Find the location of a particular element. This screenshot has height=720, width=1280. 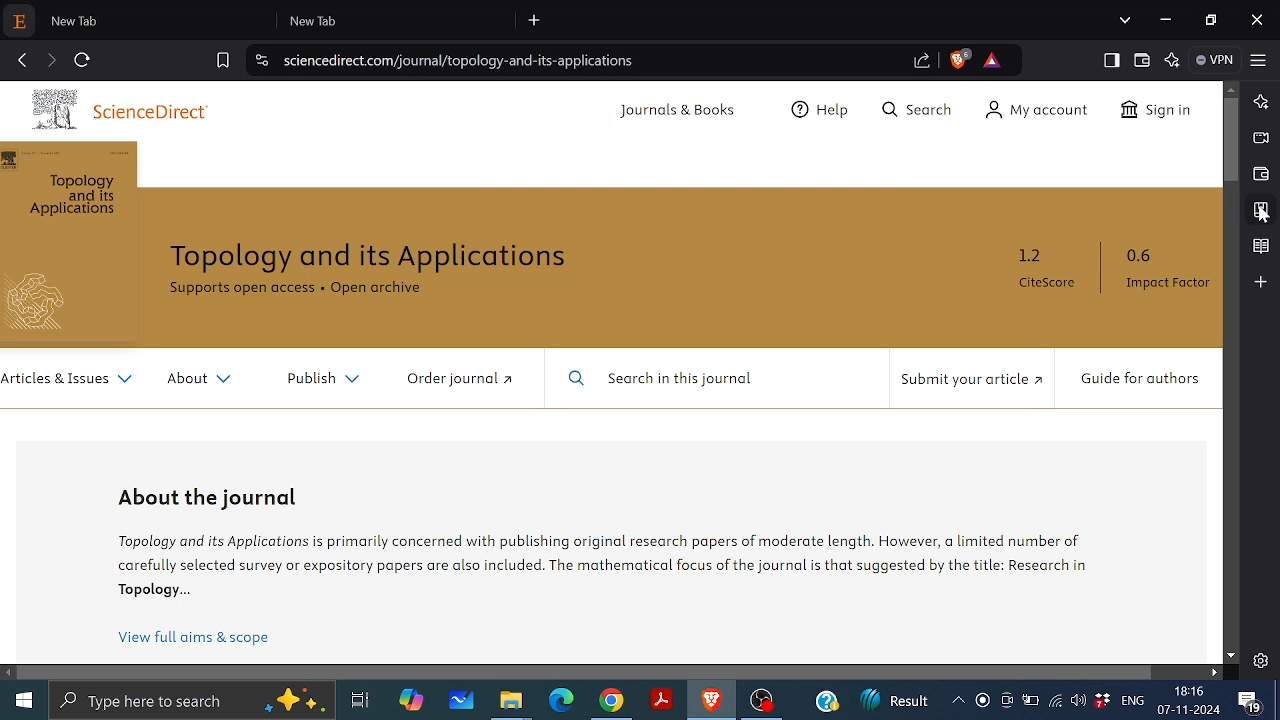

Type or searchapps is located at coordinates (190, 701).